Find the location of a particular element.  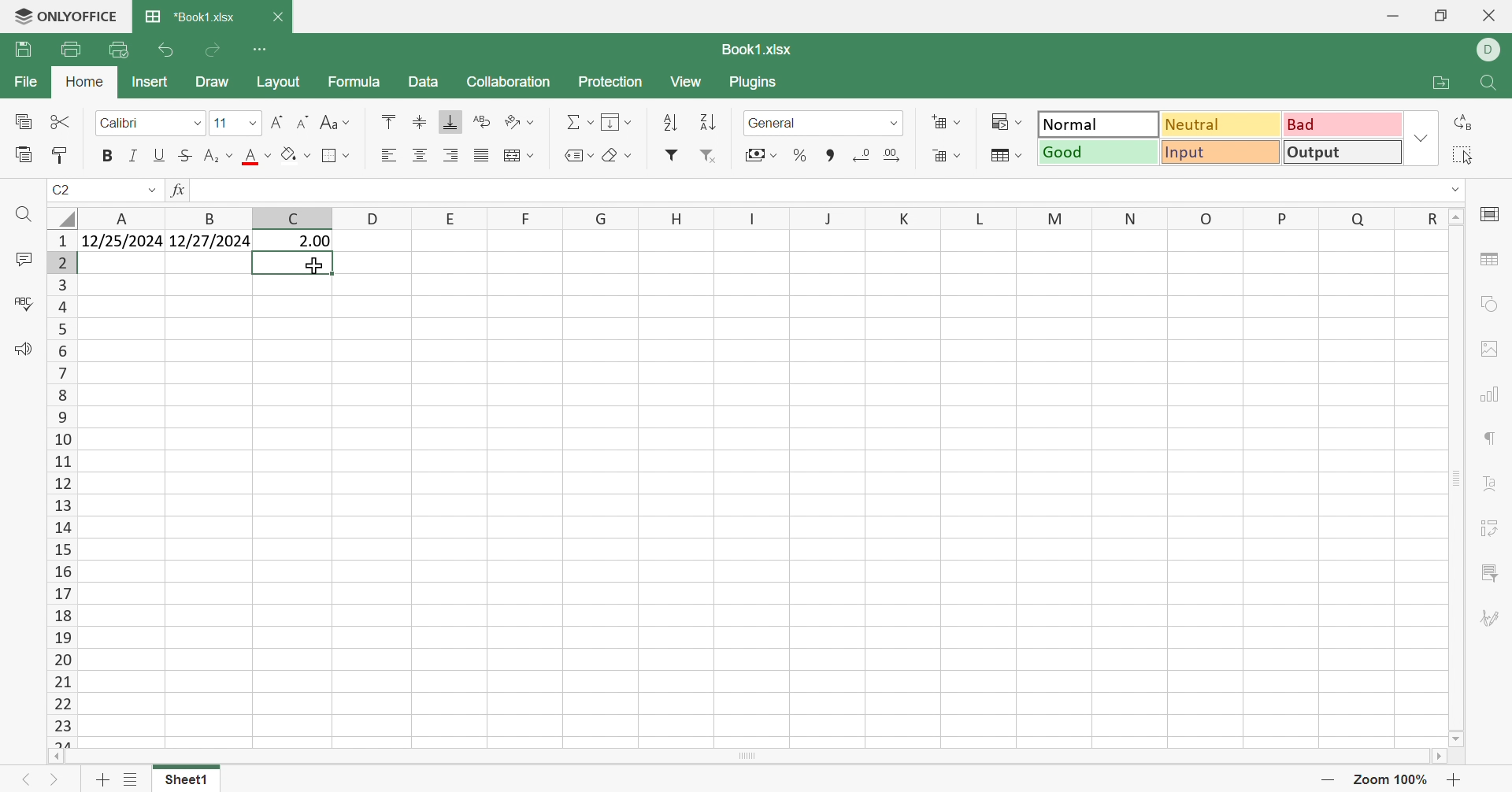

Neutral is located at coordinates (1222, 124).